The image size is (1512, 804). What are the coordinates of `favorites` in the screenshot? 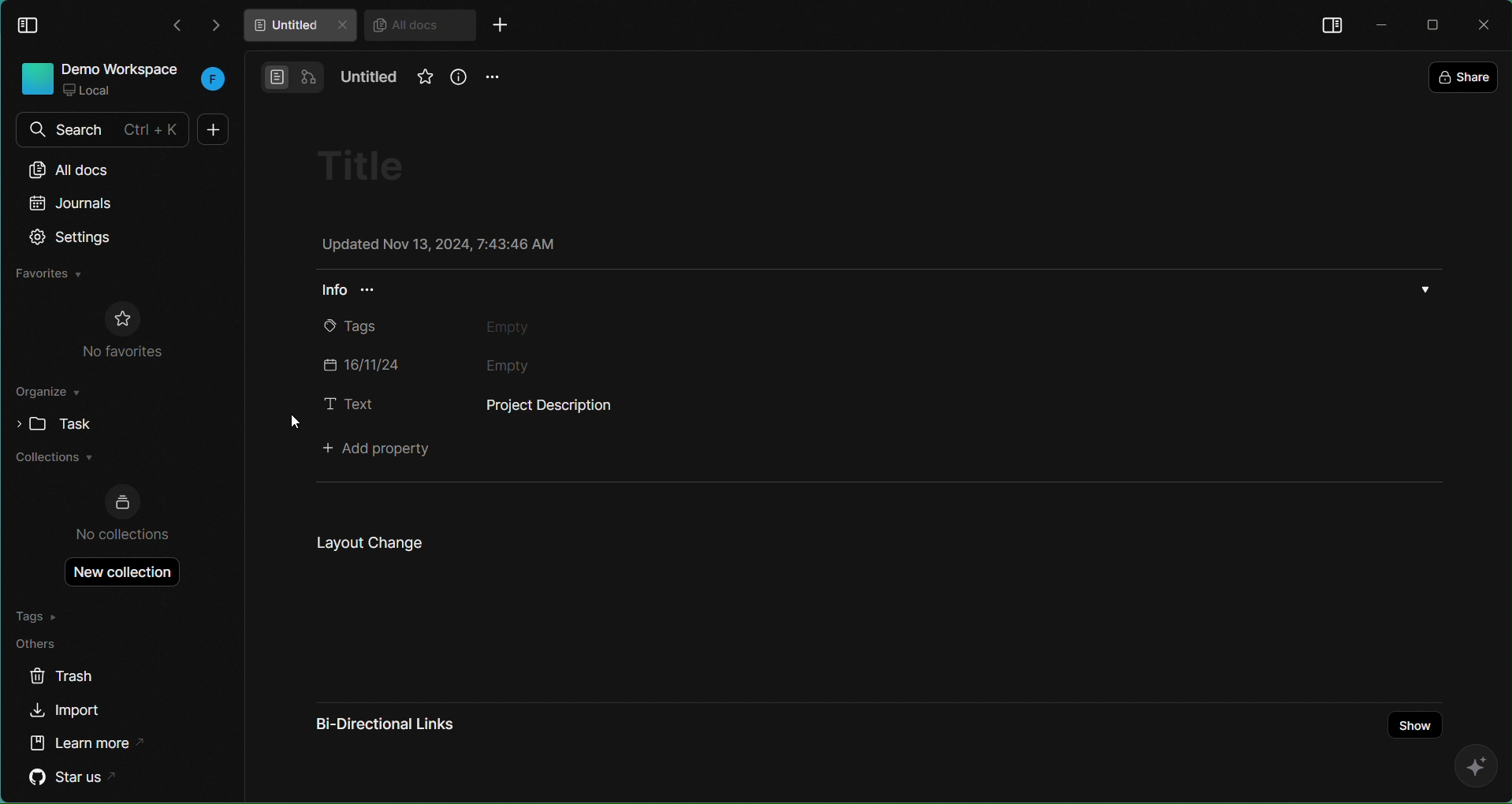 It's located at (49, 274).